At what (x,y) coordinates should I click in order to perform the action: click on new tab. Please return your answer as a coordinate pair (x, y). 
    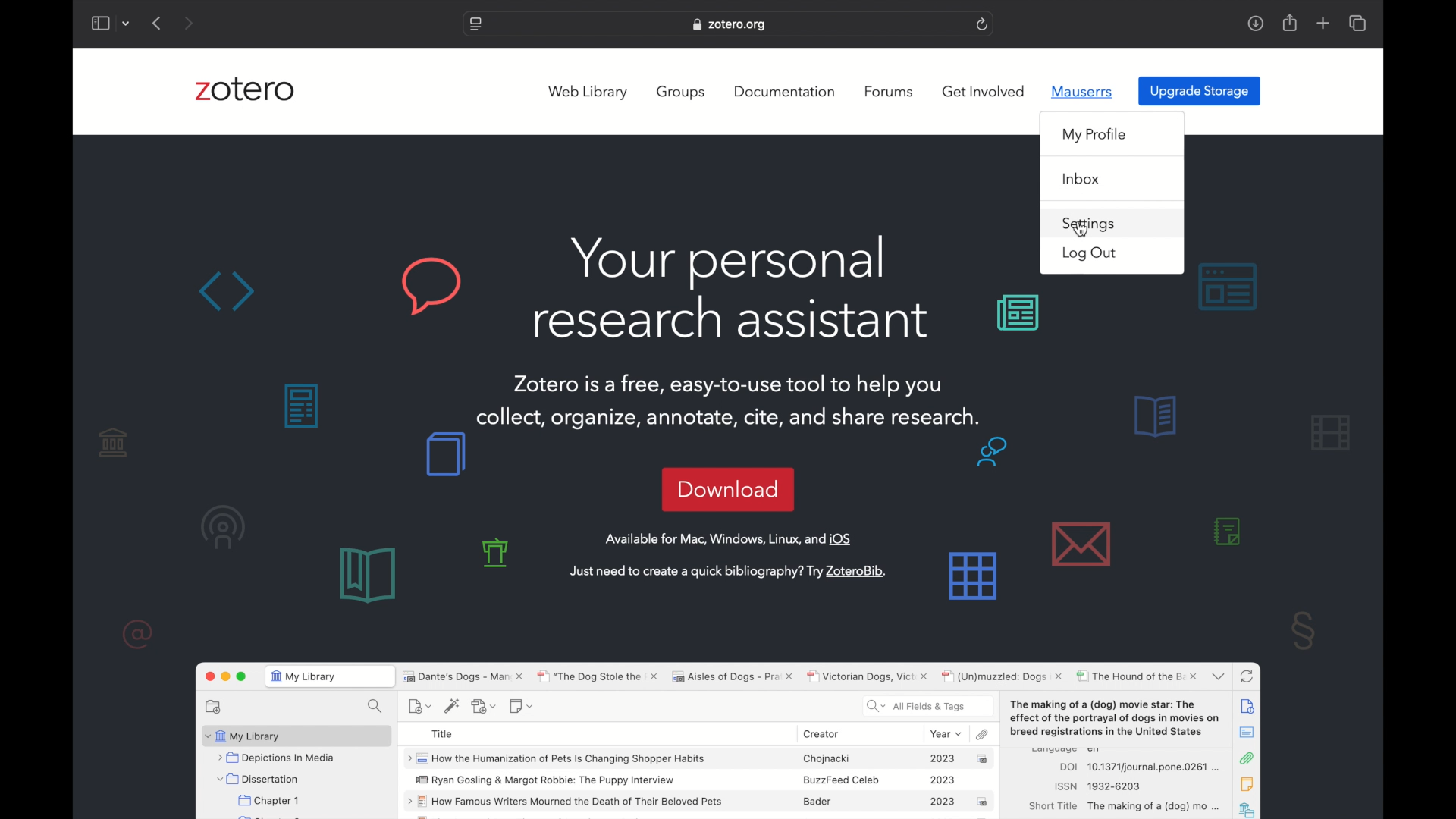
    Looking at the image, I should click on (1323, 24).